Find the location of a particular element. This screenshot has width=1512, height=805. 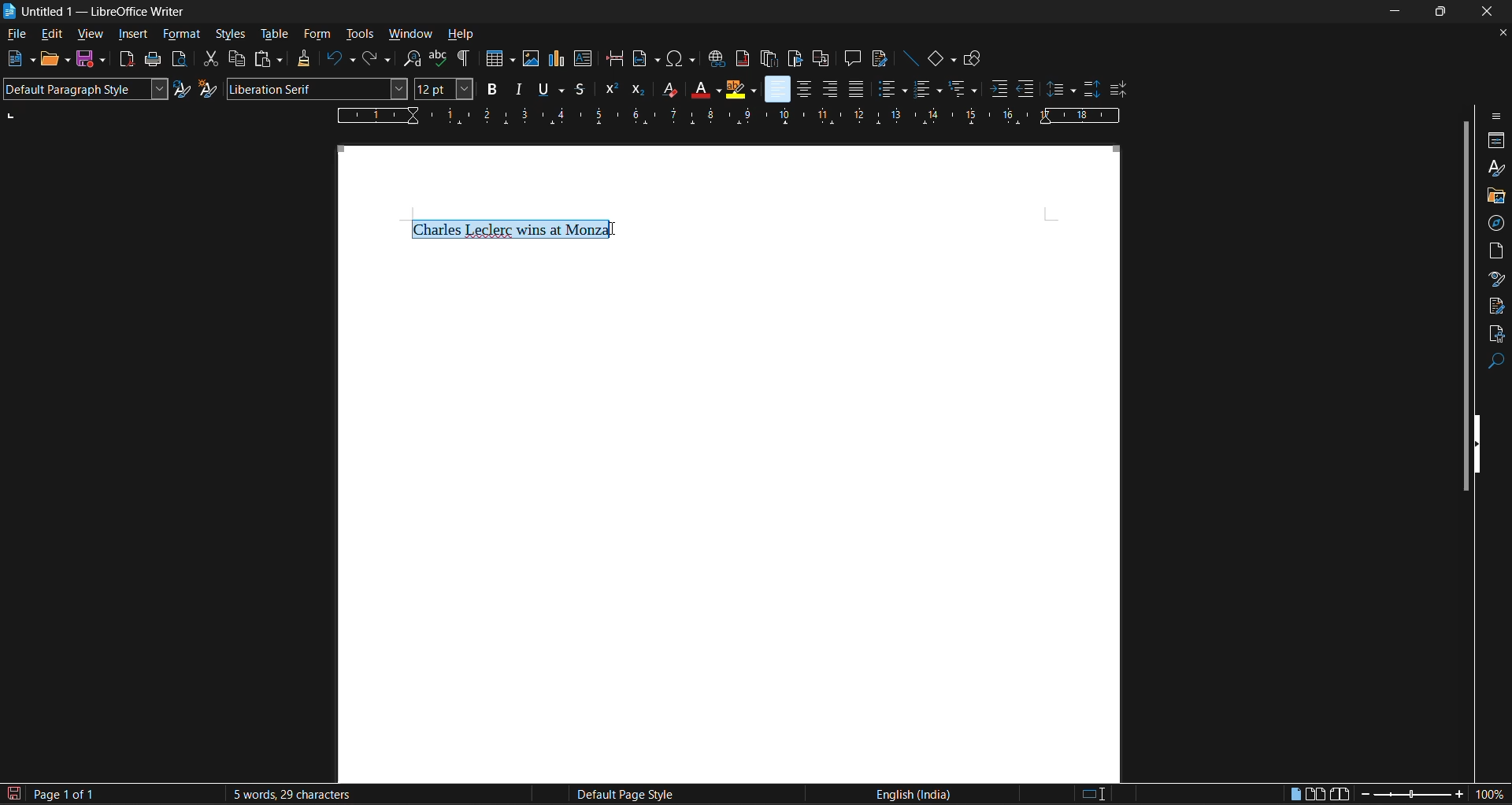

insert field is located at coordinates (647, 60).